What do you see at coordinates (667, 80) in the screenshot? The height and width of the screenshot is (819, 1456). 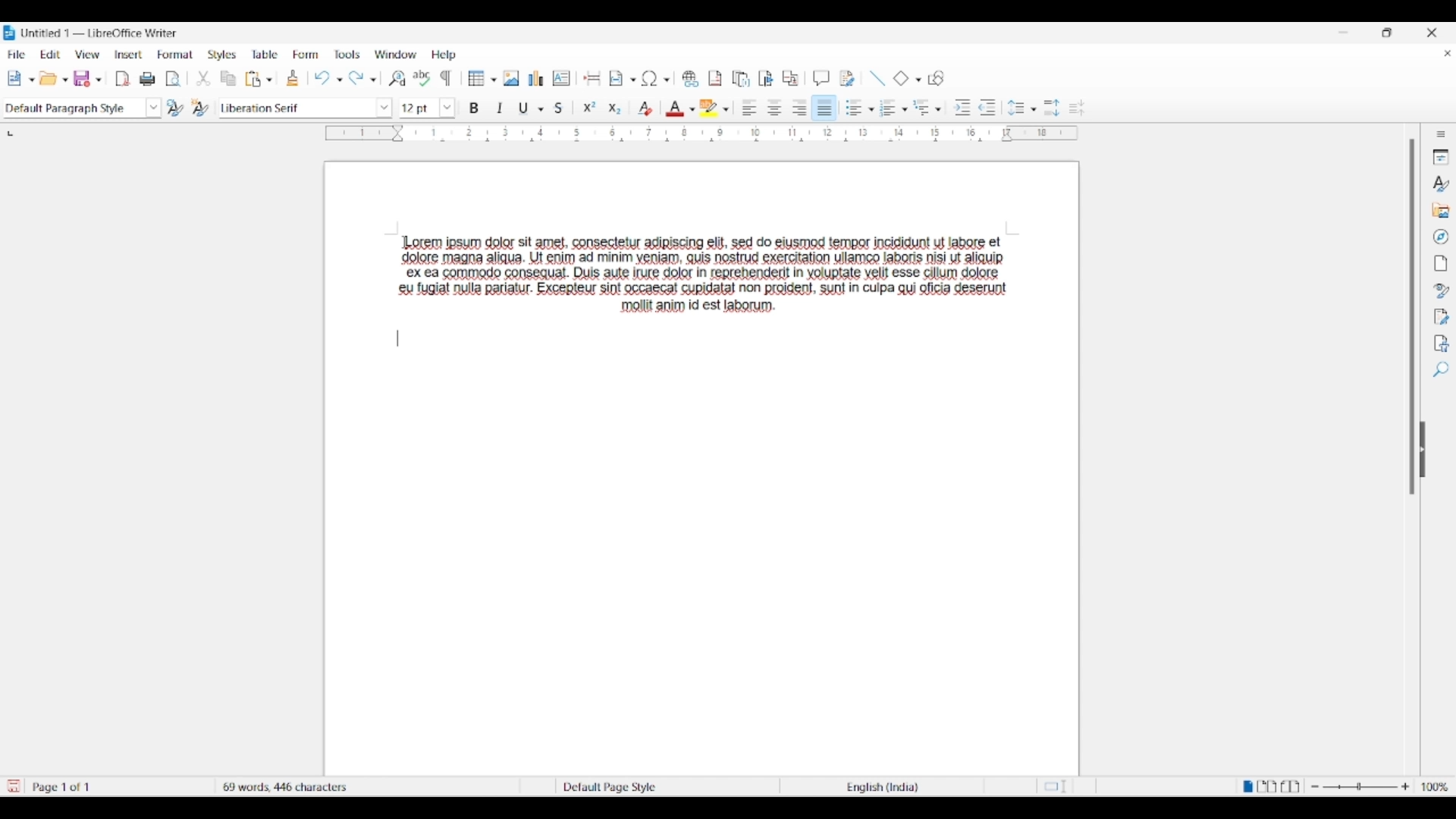 I see `Special character options` at bounding box center [667, 80].